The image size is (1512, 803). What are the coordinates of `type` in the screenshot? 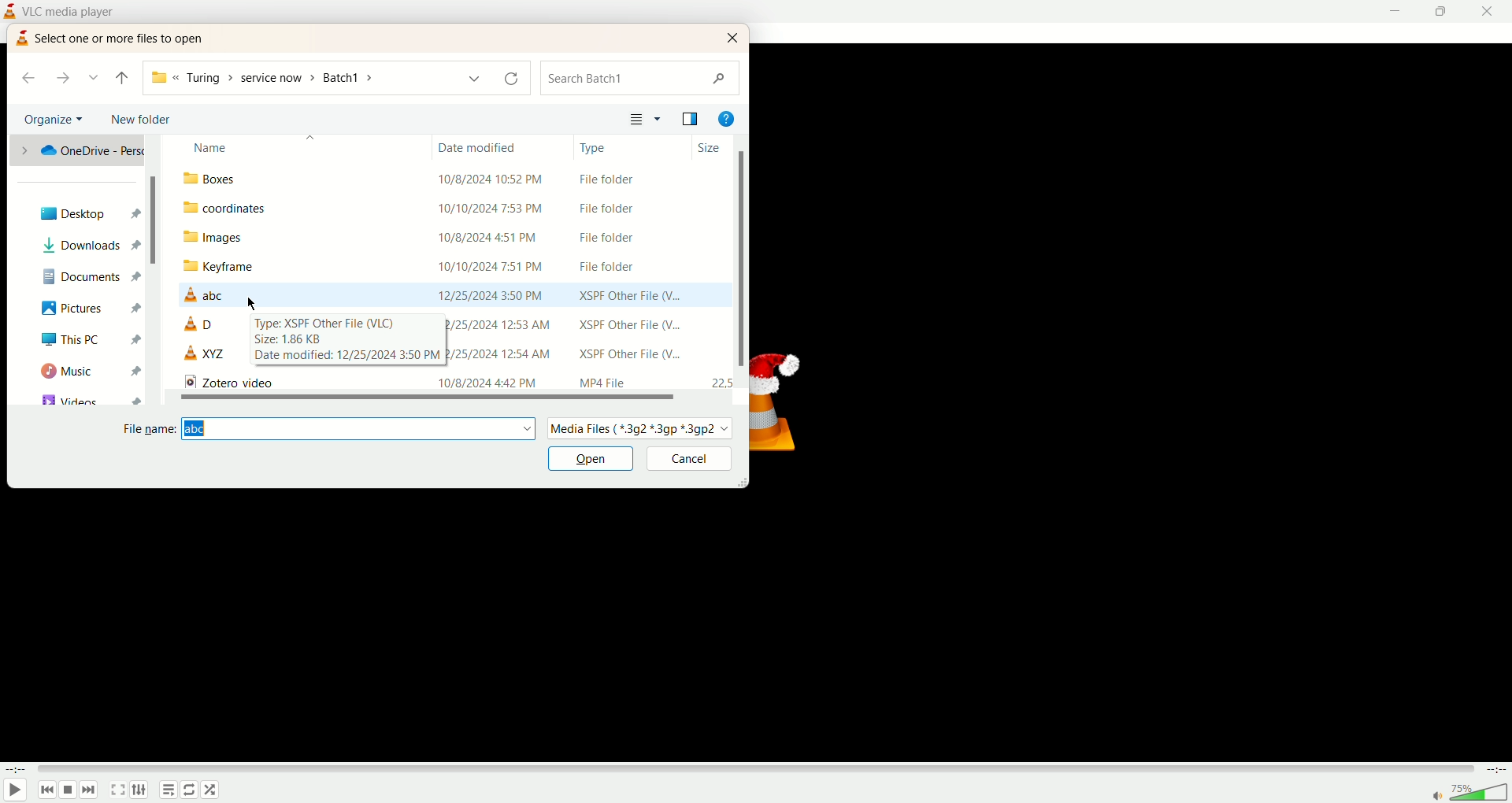 It's located at (595, 147).